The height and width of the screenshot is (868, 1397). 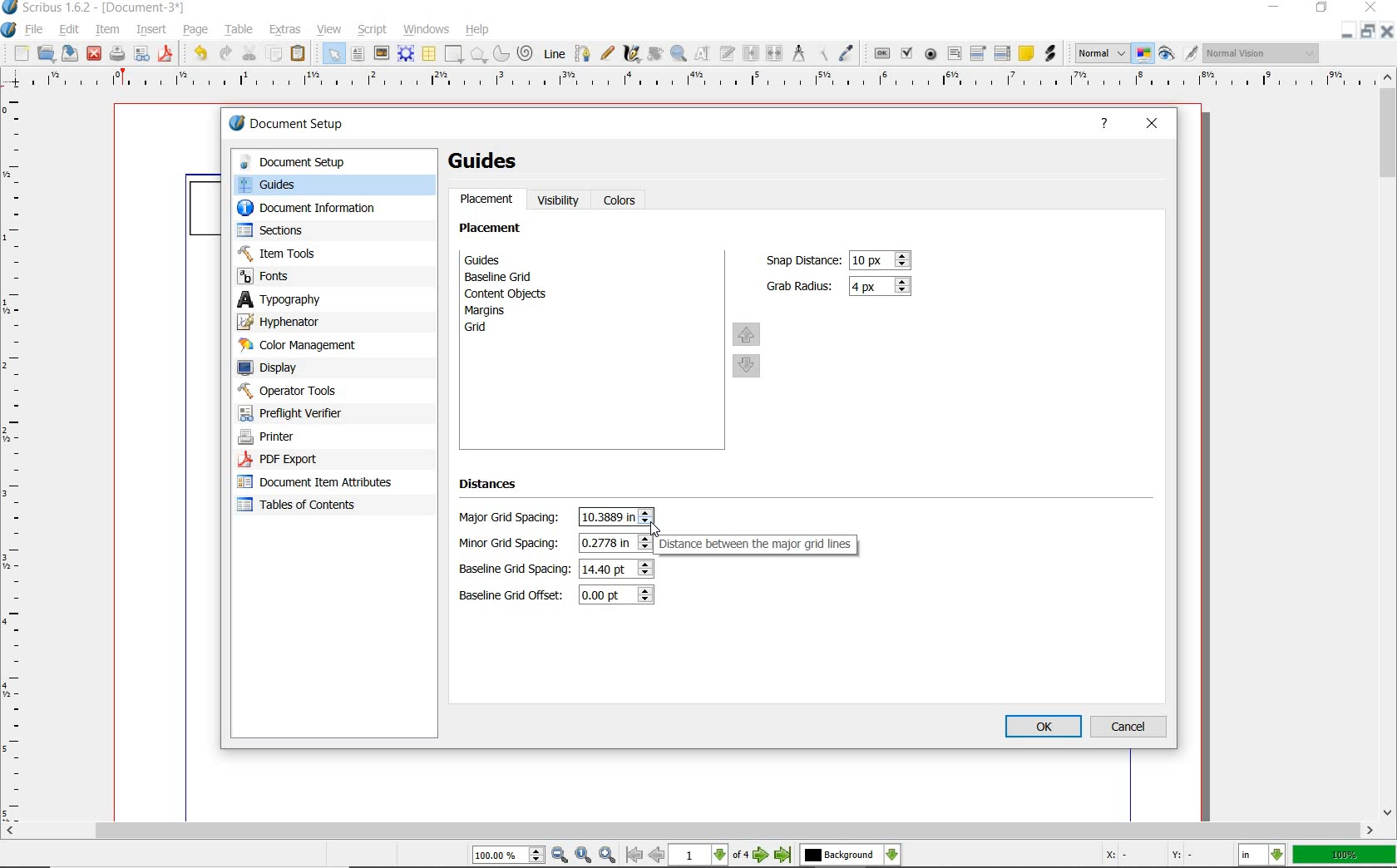 What do you see at coordinates (249, 53) in the screenshot?
I see `cut` at bounding box center [249, 53].